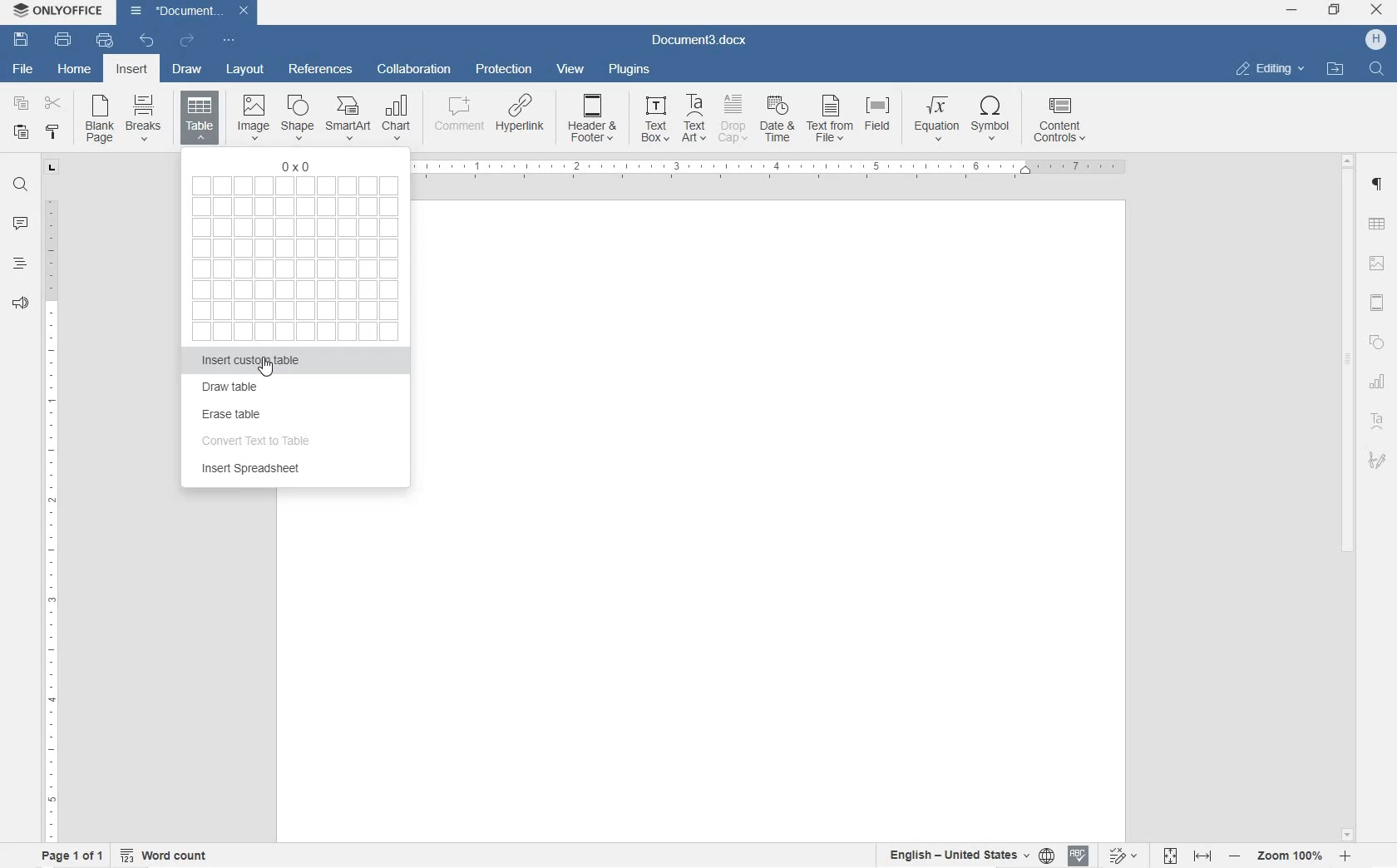  I want to click on WORD COUNT, so click(165, 854).